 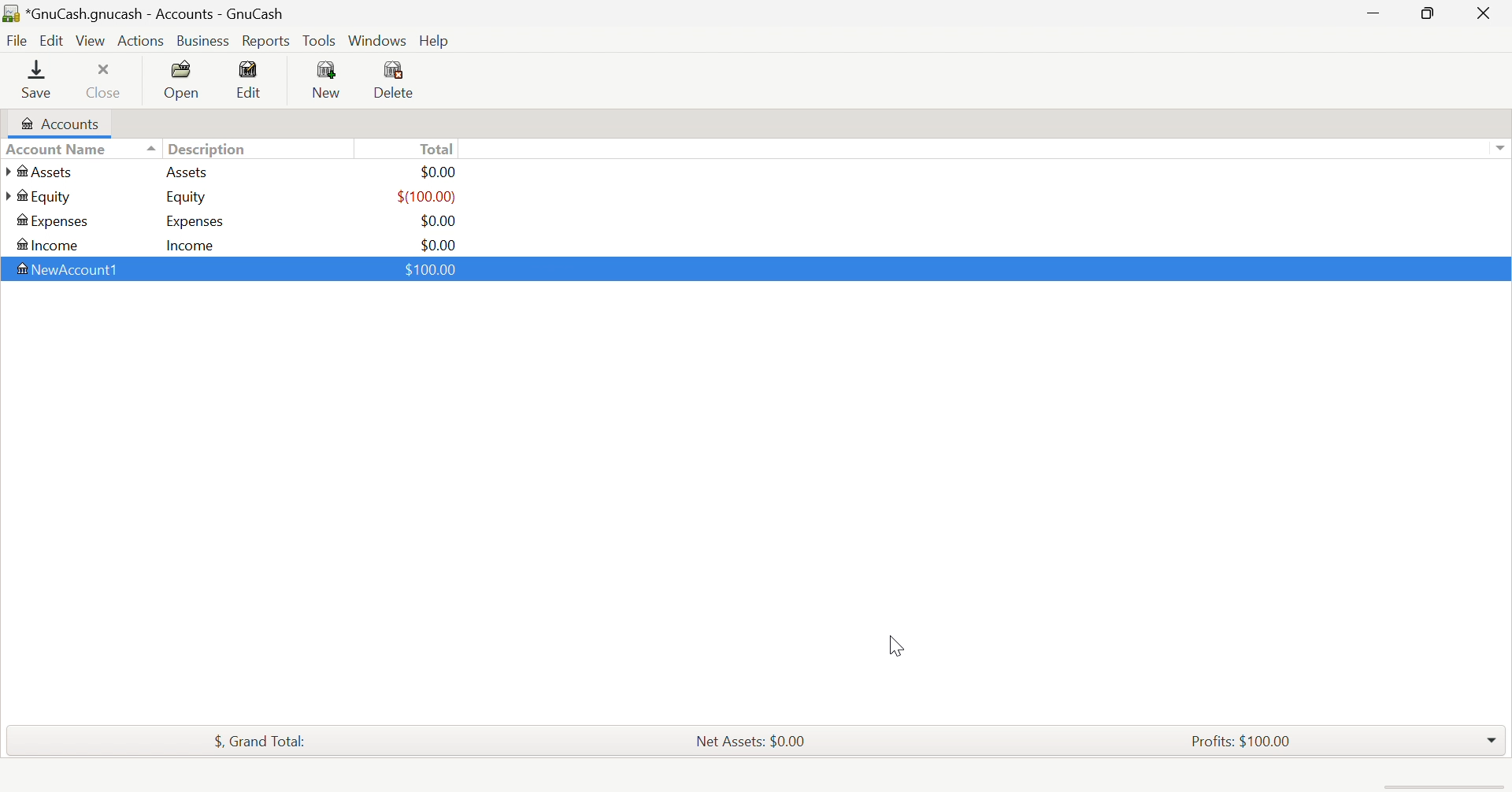 What do you see at coordinates (1486, 13) in the screenshot?
I see `Close` at bounding box center [1486, 13].